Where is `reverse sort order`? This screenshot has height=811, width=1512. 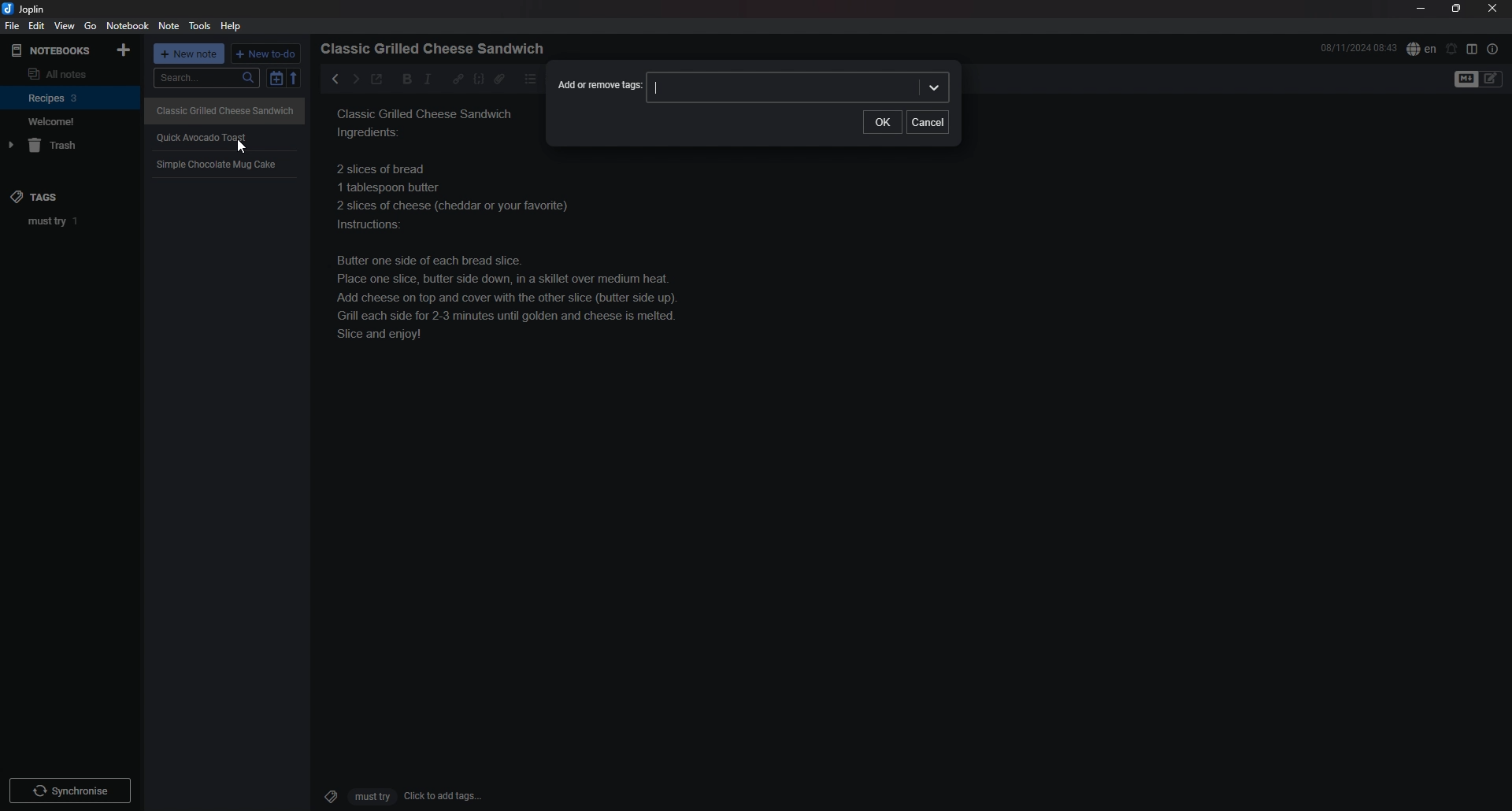
reverse sort order is located at coordinates (297, 79).